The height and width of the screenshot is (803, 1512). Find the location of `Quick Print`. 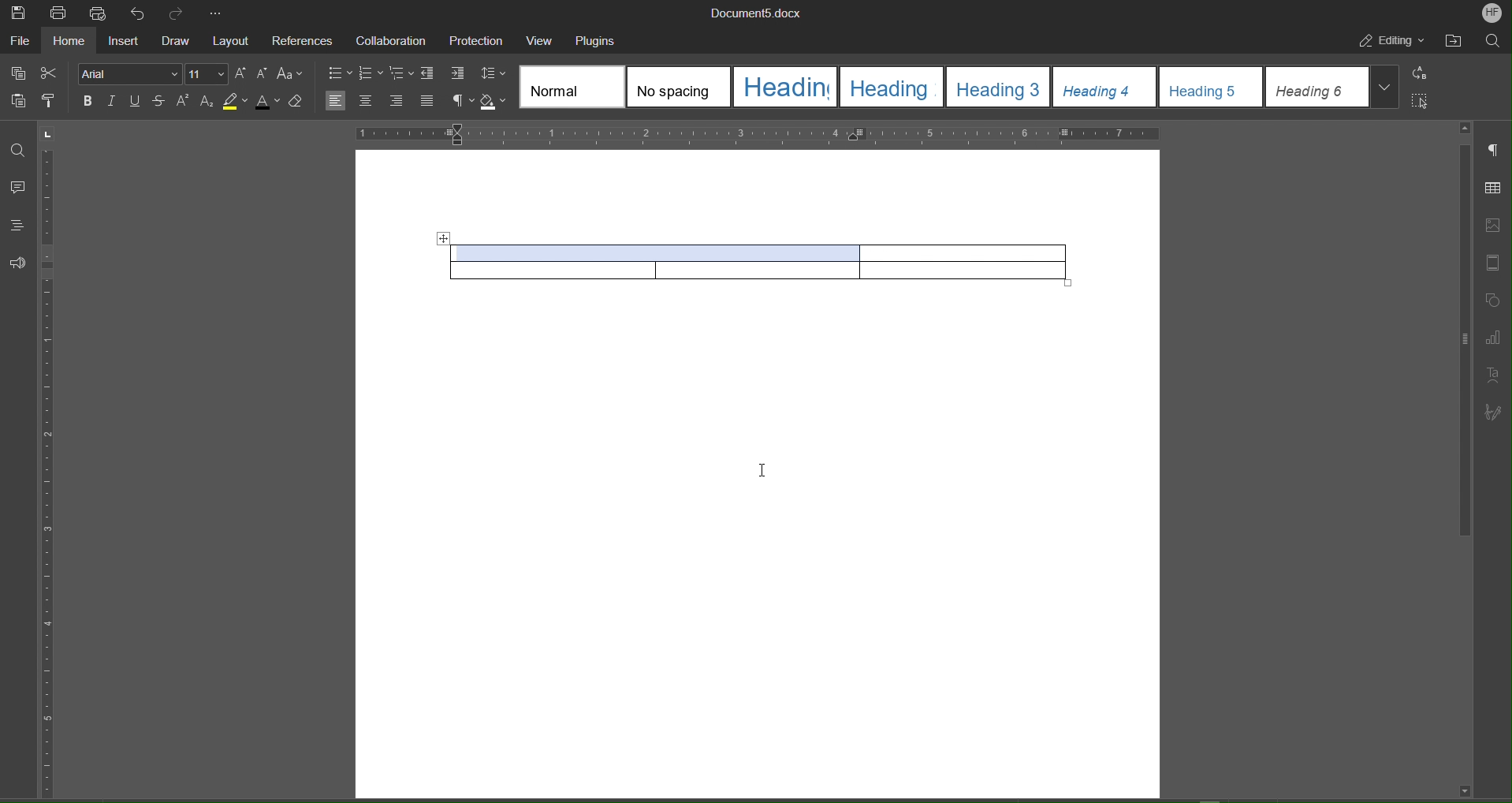

Quick Print is located at coordinates (102, 14).